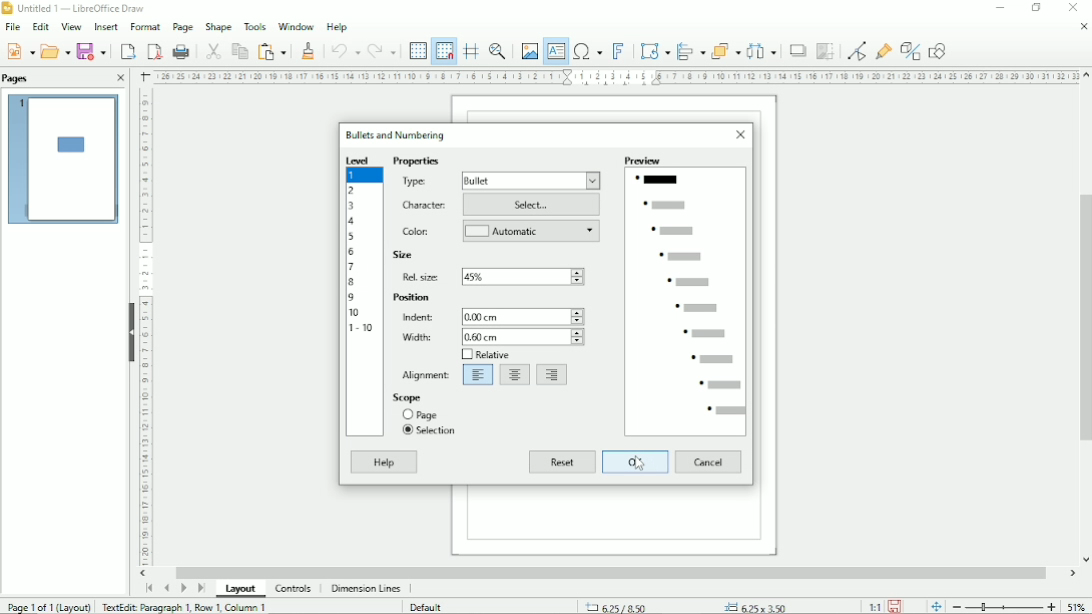  Describe the element at coordinates (271, 50) in the screenshot. I see `Paste` at that location.